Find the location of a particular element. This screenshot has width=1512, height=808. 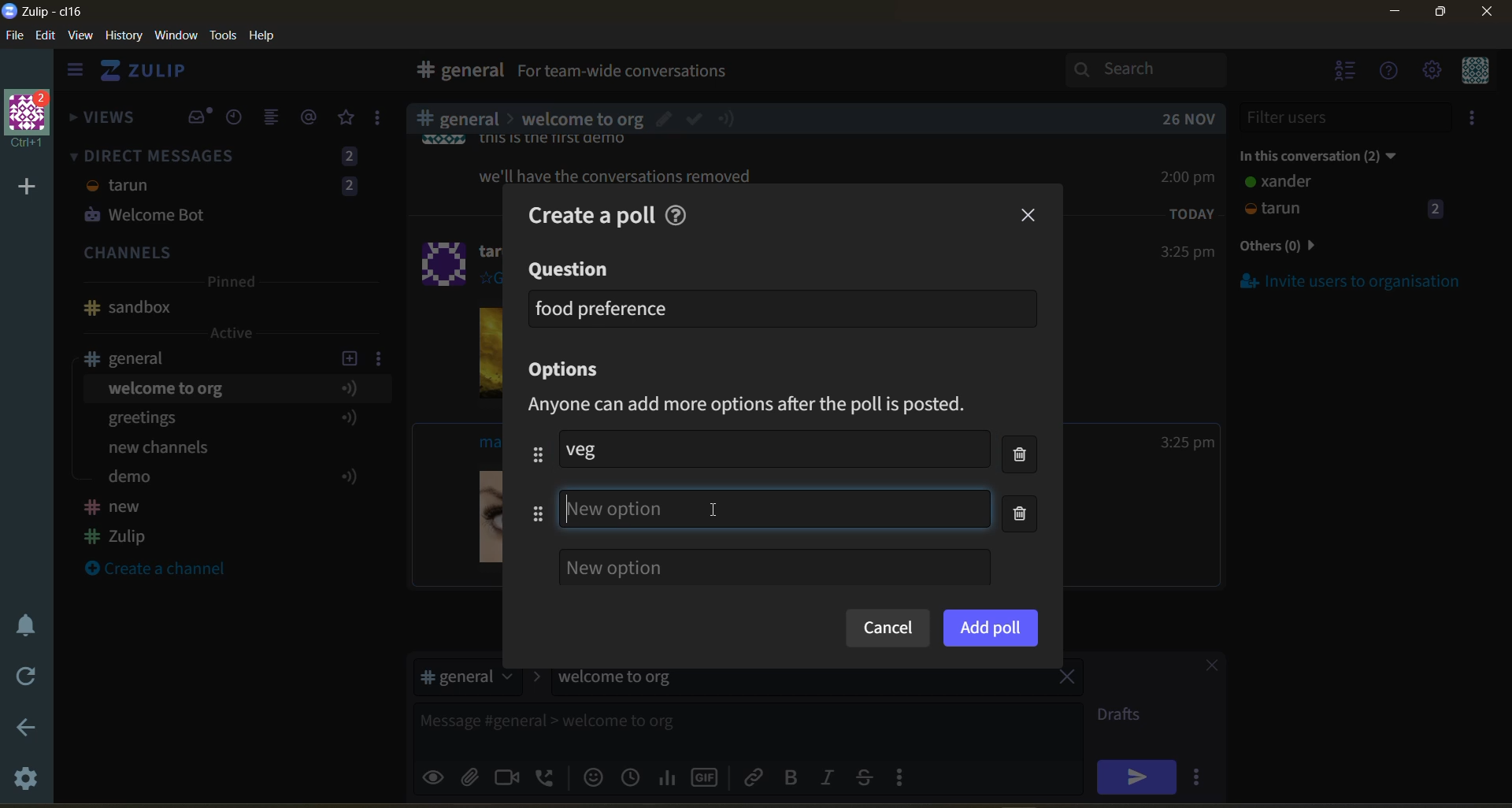

search is located at coordinates (1160, 69).